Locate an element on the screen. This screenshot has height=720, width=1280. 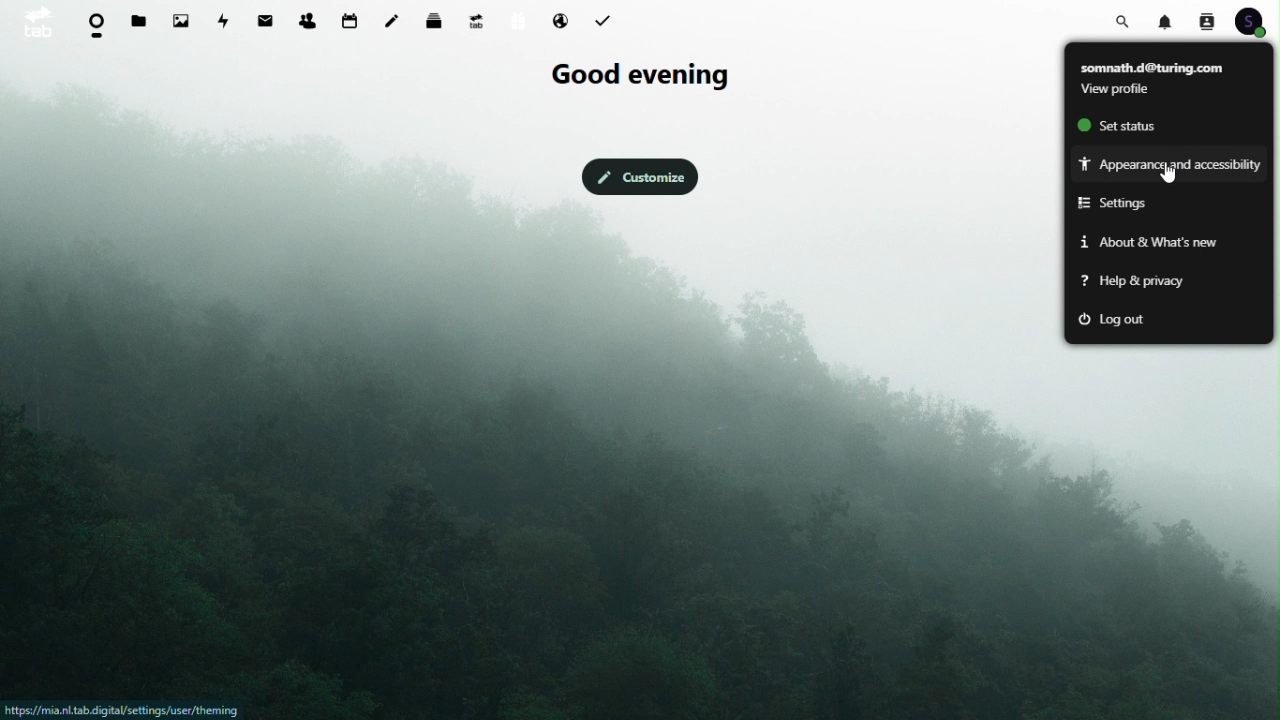
tab is located at coordinates (35, 21).